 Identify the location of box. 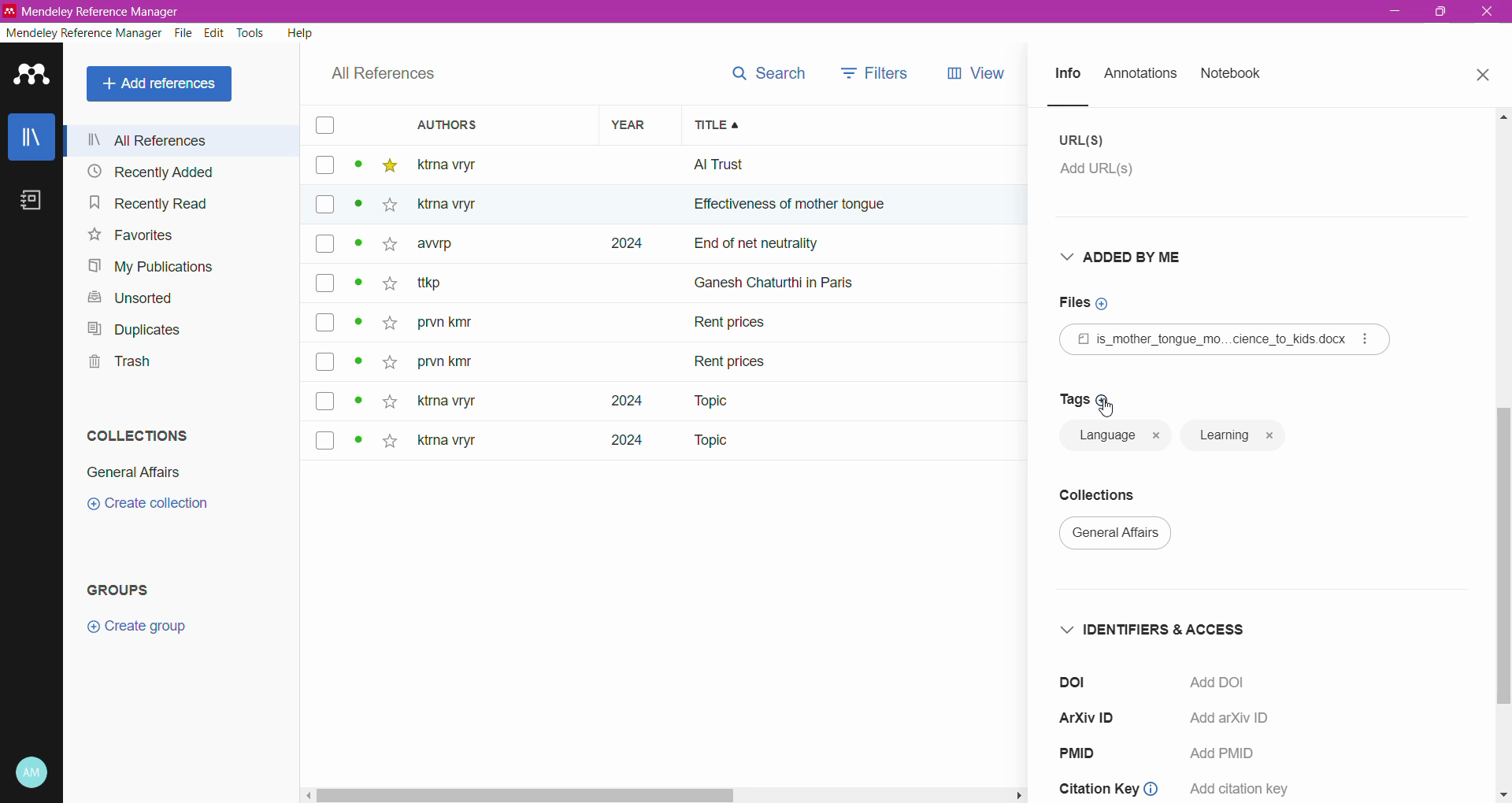
(326, 363).